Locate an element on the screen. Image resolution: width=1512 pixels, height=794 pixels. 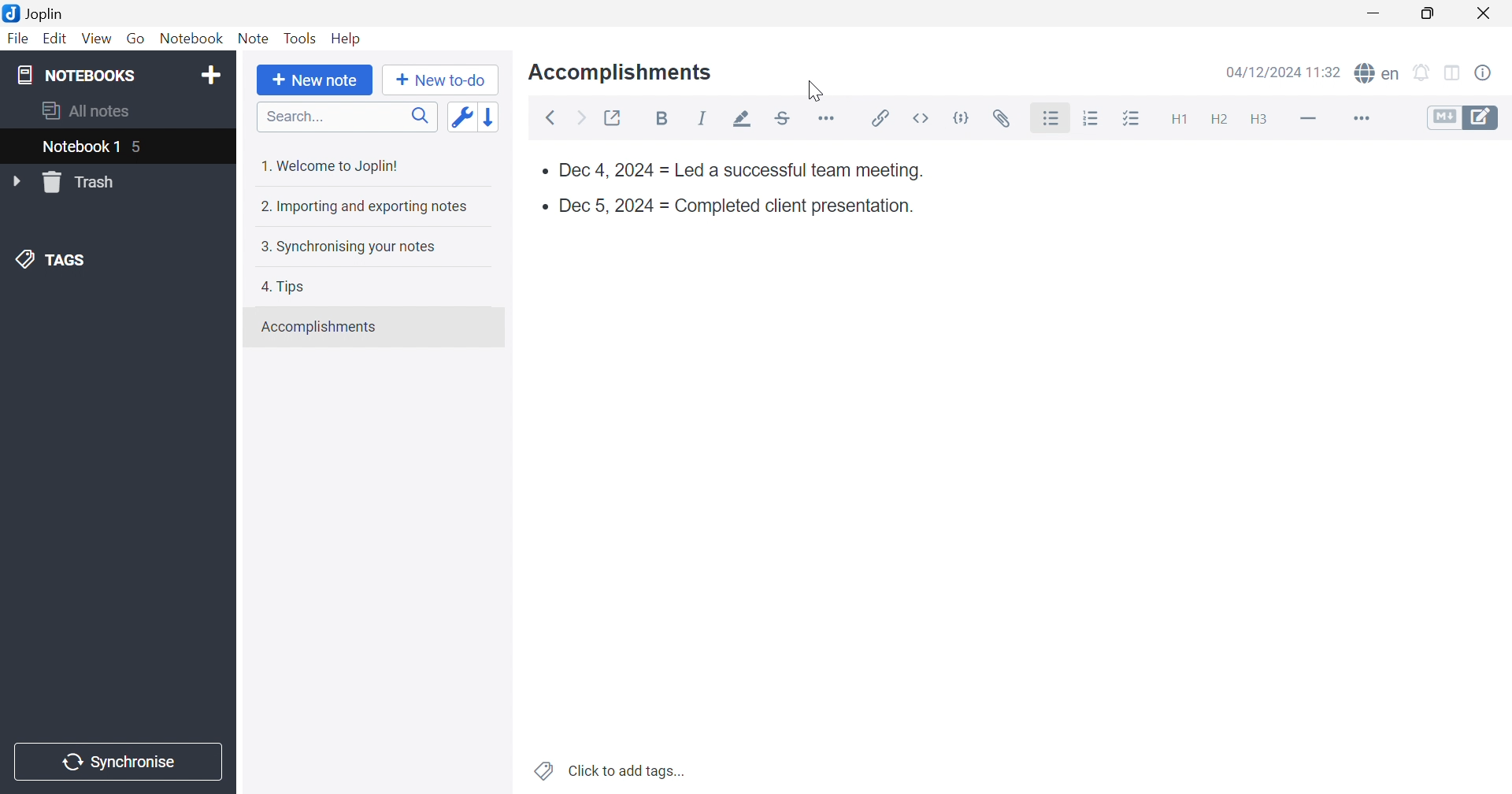
Numbered list is located at coordinates (1098, 118).